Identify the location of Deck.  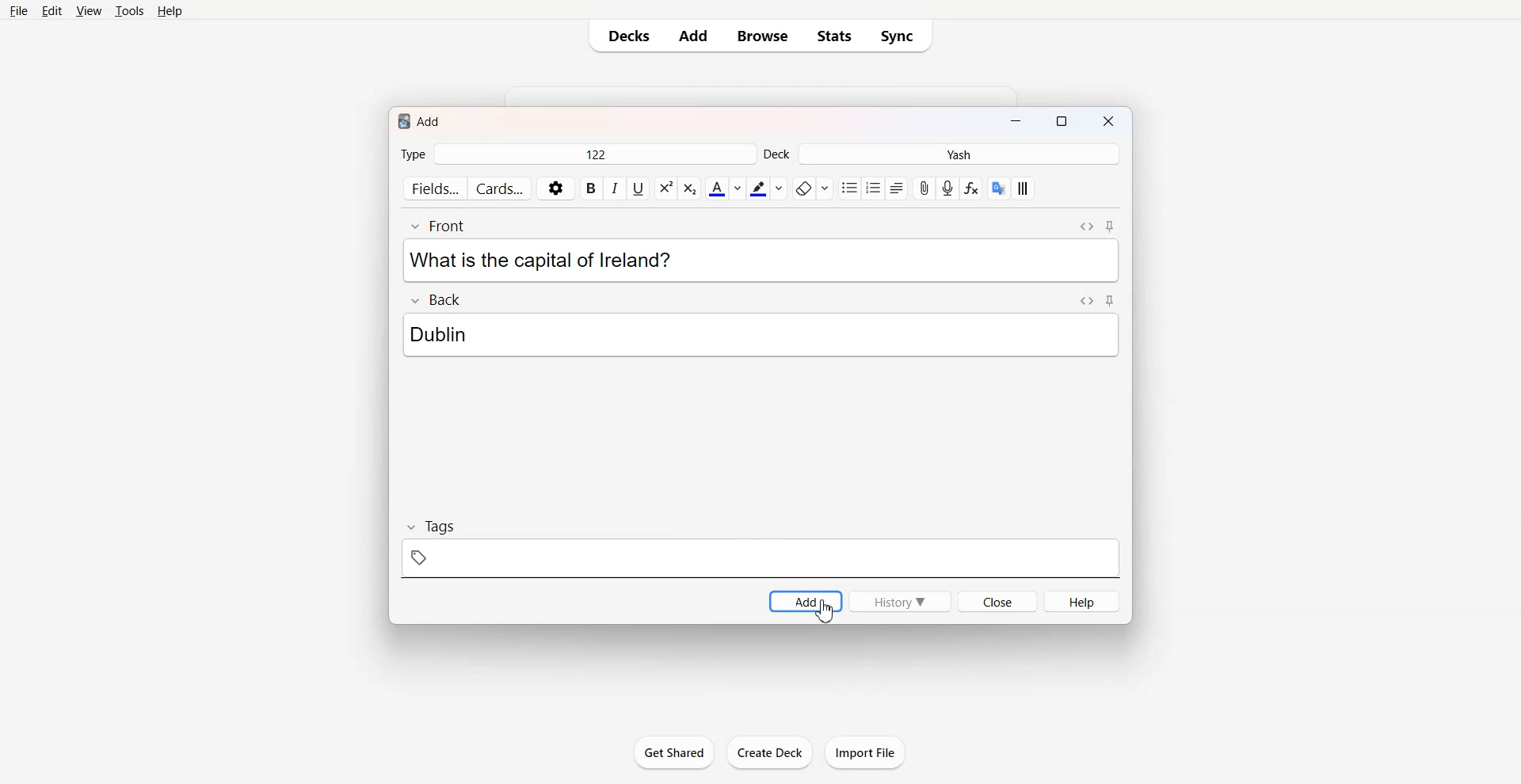
(942, 154).